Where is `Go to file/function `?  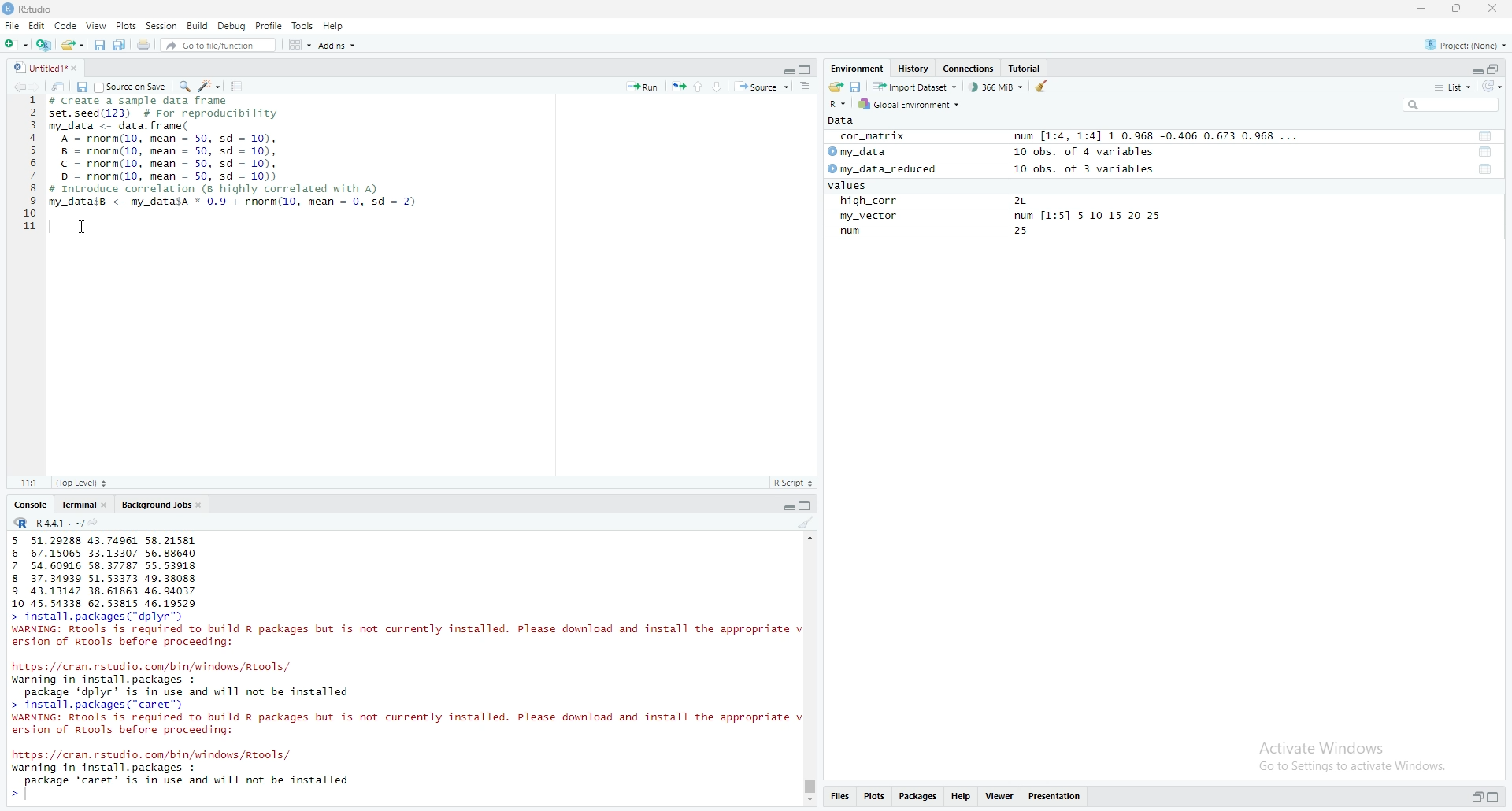
Go to file/function  is located at coordinates (221, 46).